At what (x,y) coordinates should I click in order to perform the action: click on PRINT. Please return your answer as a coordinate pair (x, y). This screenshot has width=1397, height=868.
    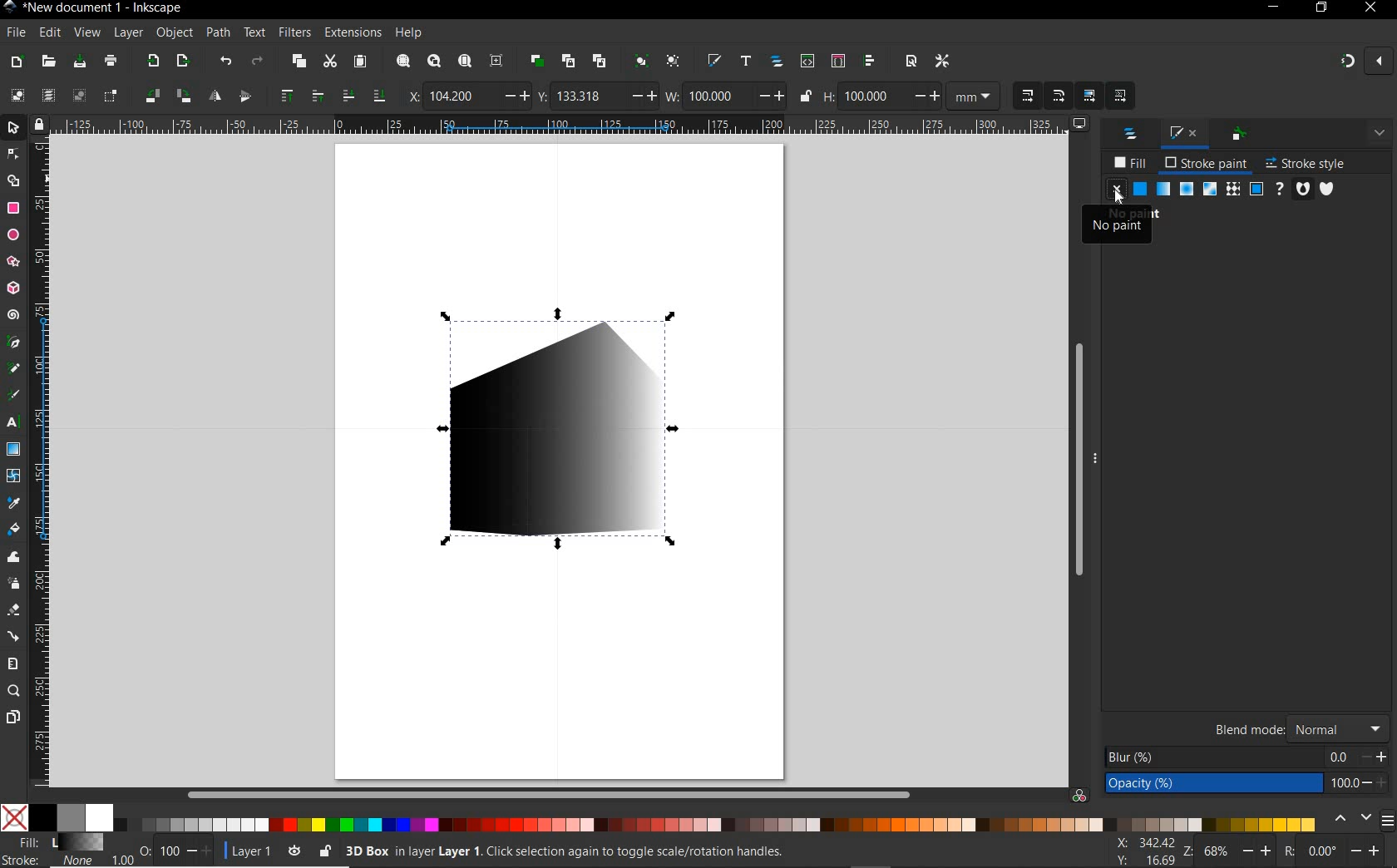
    Looking at the image, I should click on (111, 60).